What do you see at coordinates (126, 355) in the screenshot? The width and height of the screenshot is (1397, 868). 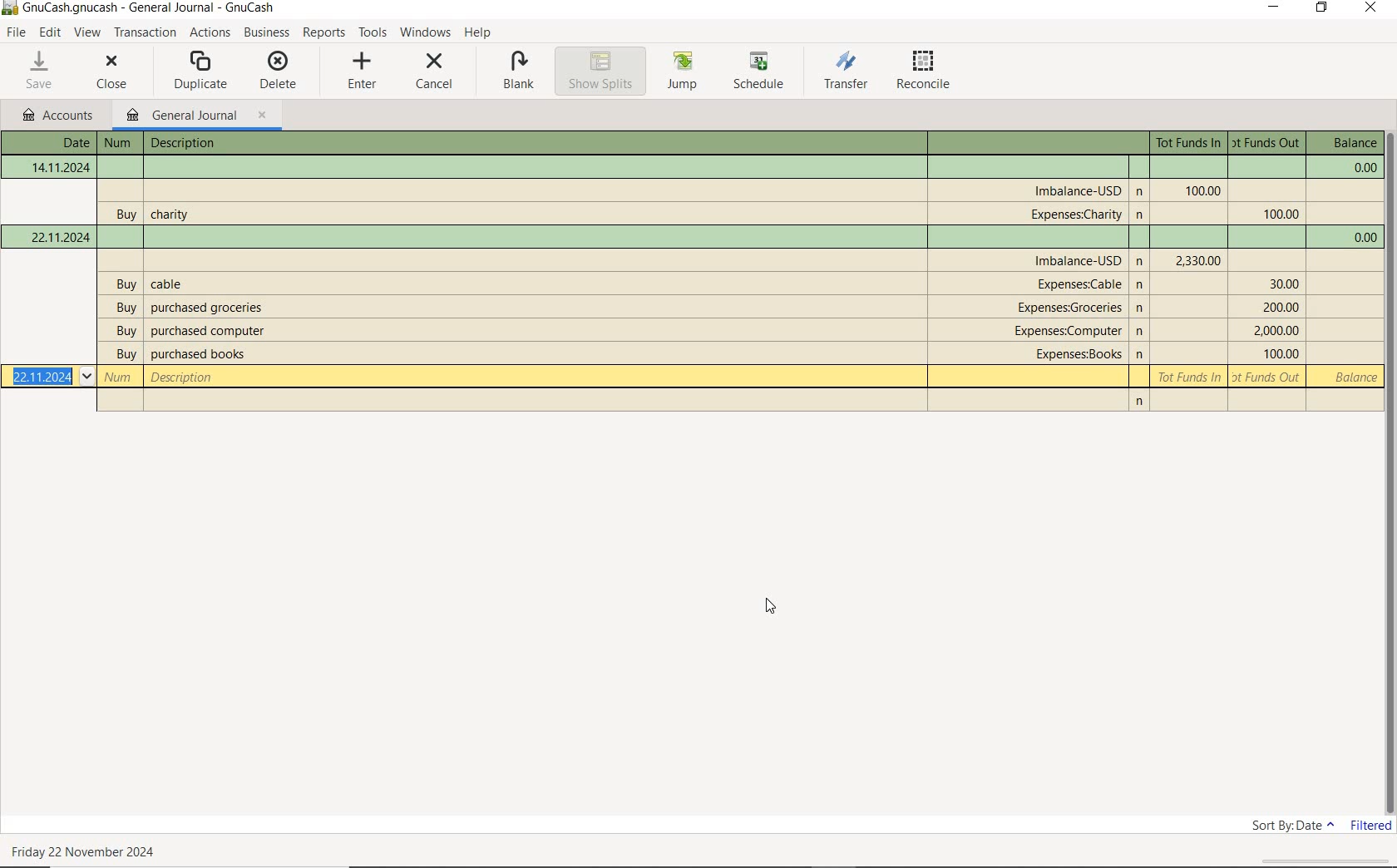 I see `buy` at bounding box center [126, 355].